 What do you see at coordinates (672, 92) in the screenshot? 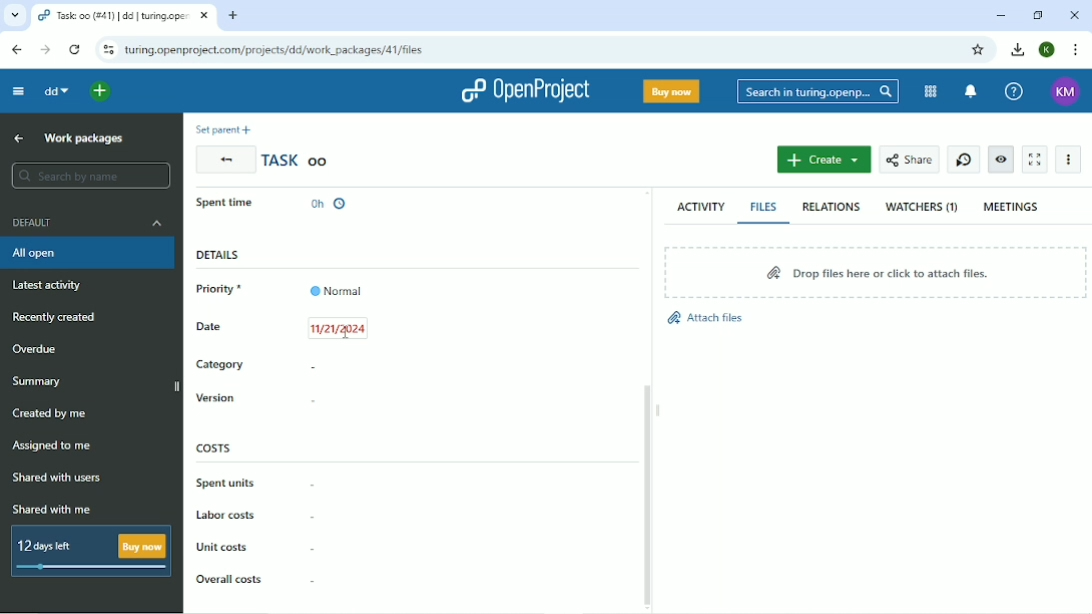
I see `Buy now` at bounding box center [672, 92].